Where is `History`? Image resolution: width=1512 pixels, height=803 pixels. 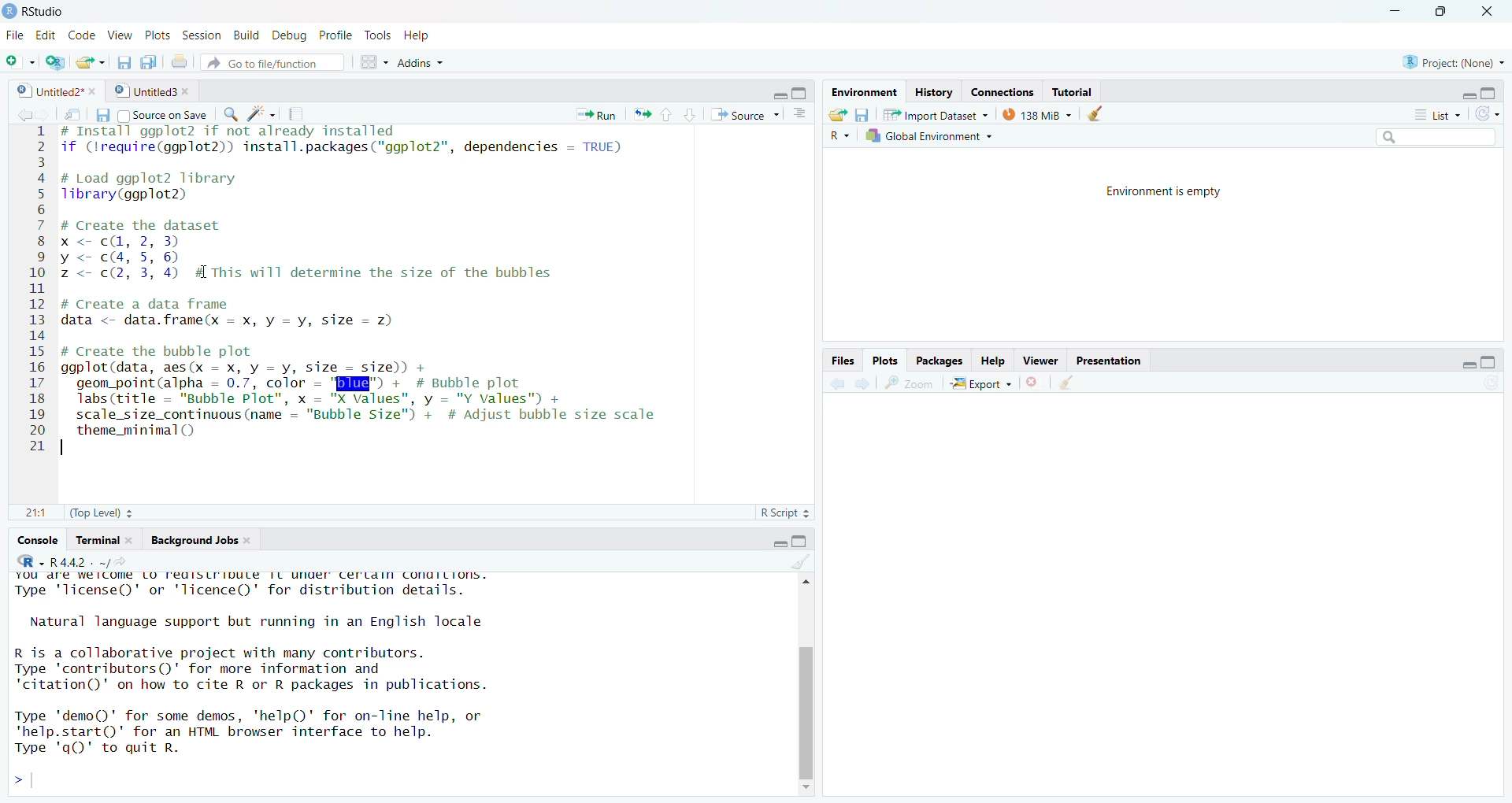 History is located at coordinates (932, 90).